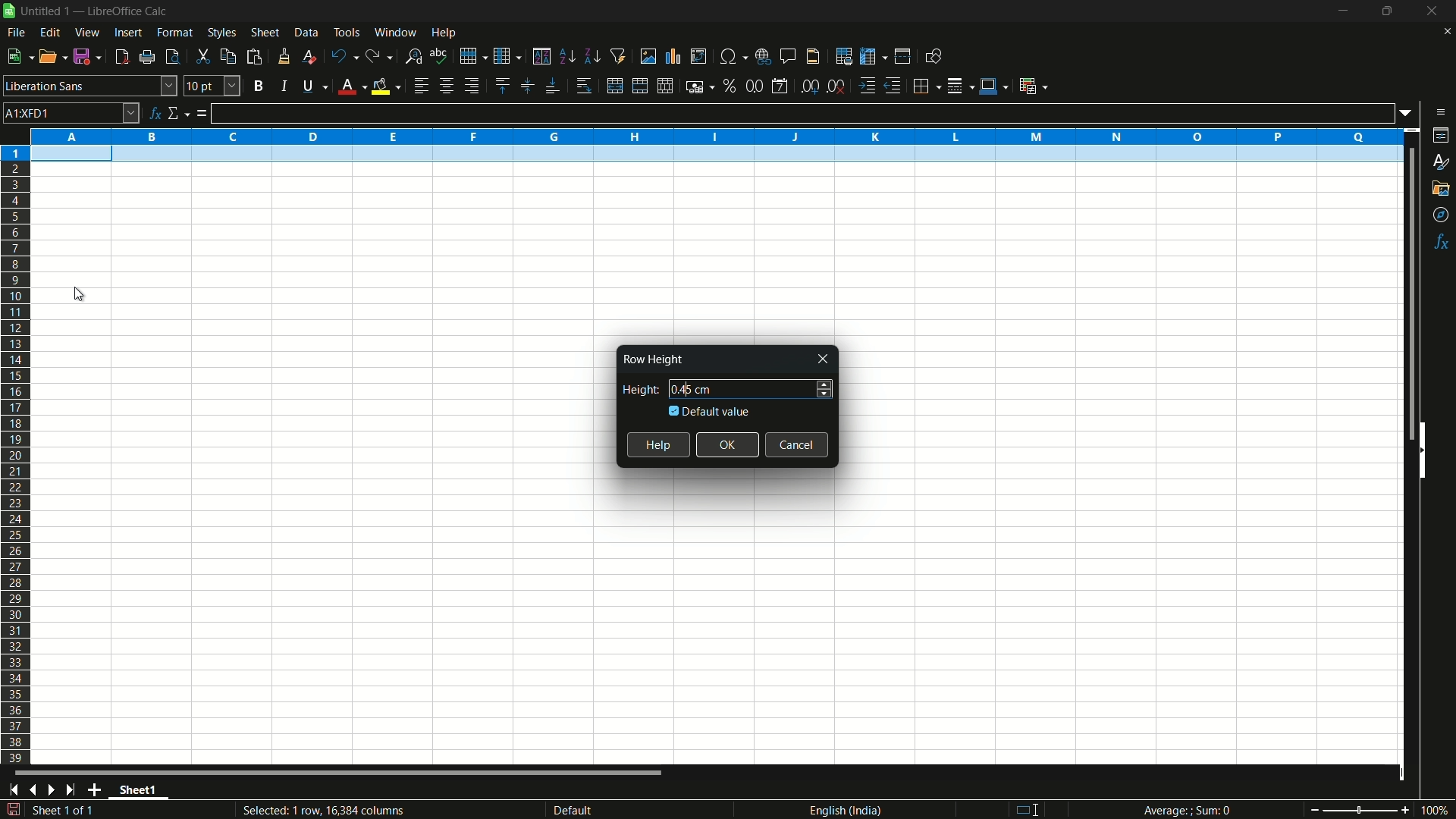  What do you see at coordinates (729, 444) in the screenshot?
I see `ok` at bounding box center [729, 444].